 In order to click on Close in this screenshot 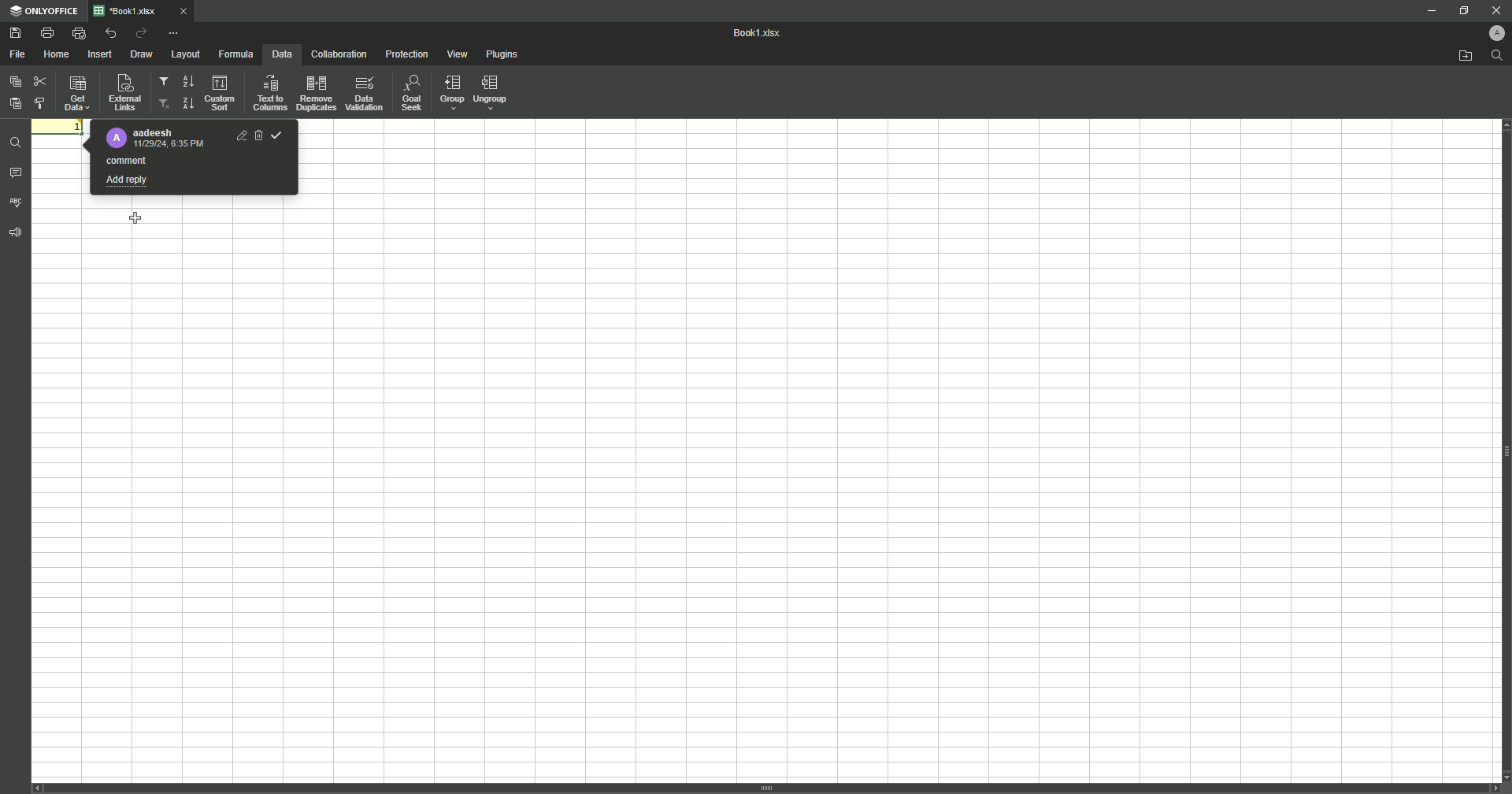, I will do `click(1491, 9)`.